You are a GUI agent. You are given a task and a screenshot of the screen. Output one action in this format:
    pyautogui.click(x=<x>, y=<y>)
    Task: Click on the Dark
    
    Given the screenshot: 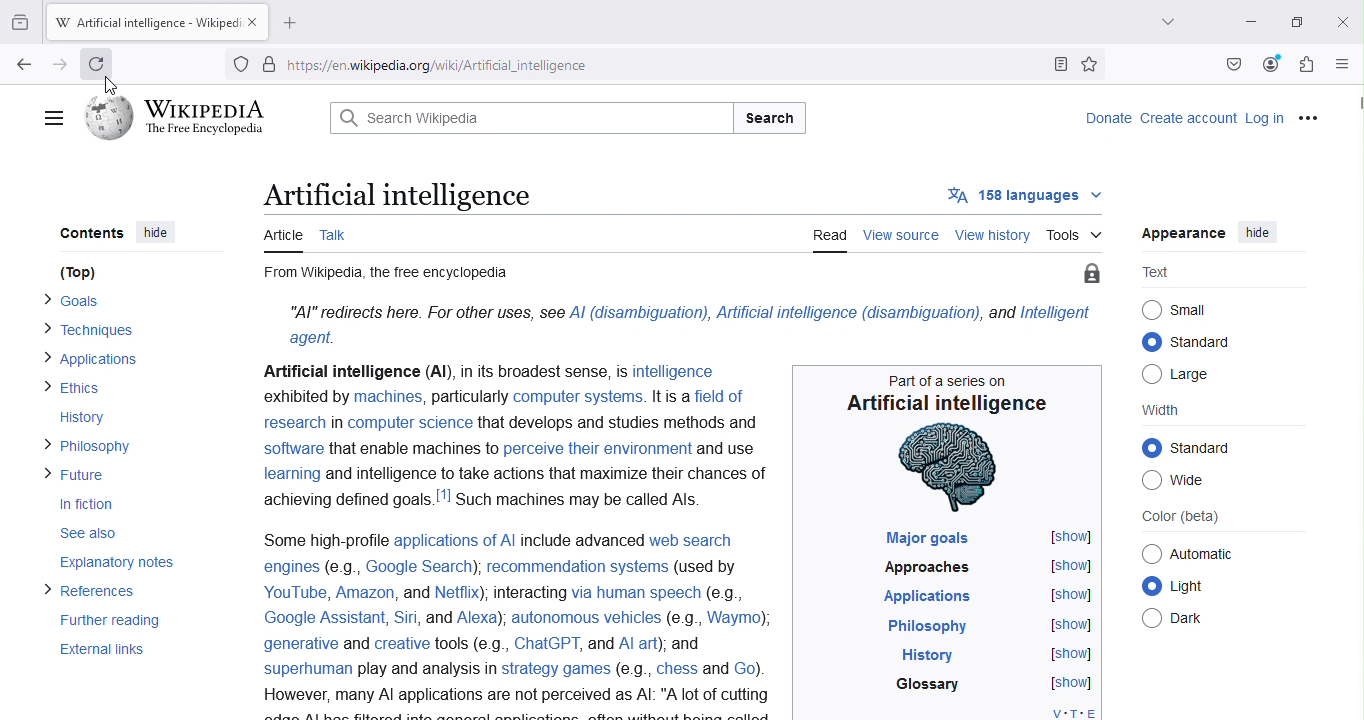 What is the action you would take?
    pyautogui.click(x=1183, y=619)
    